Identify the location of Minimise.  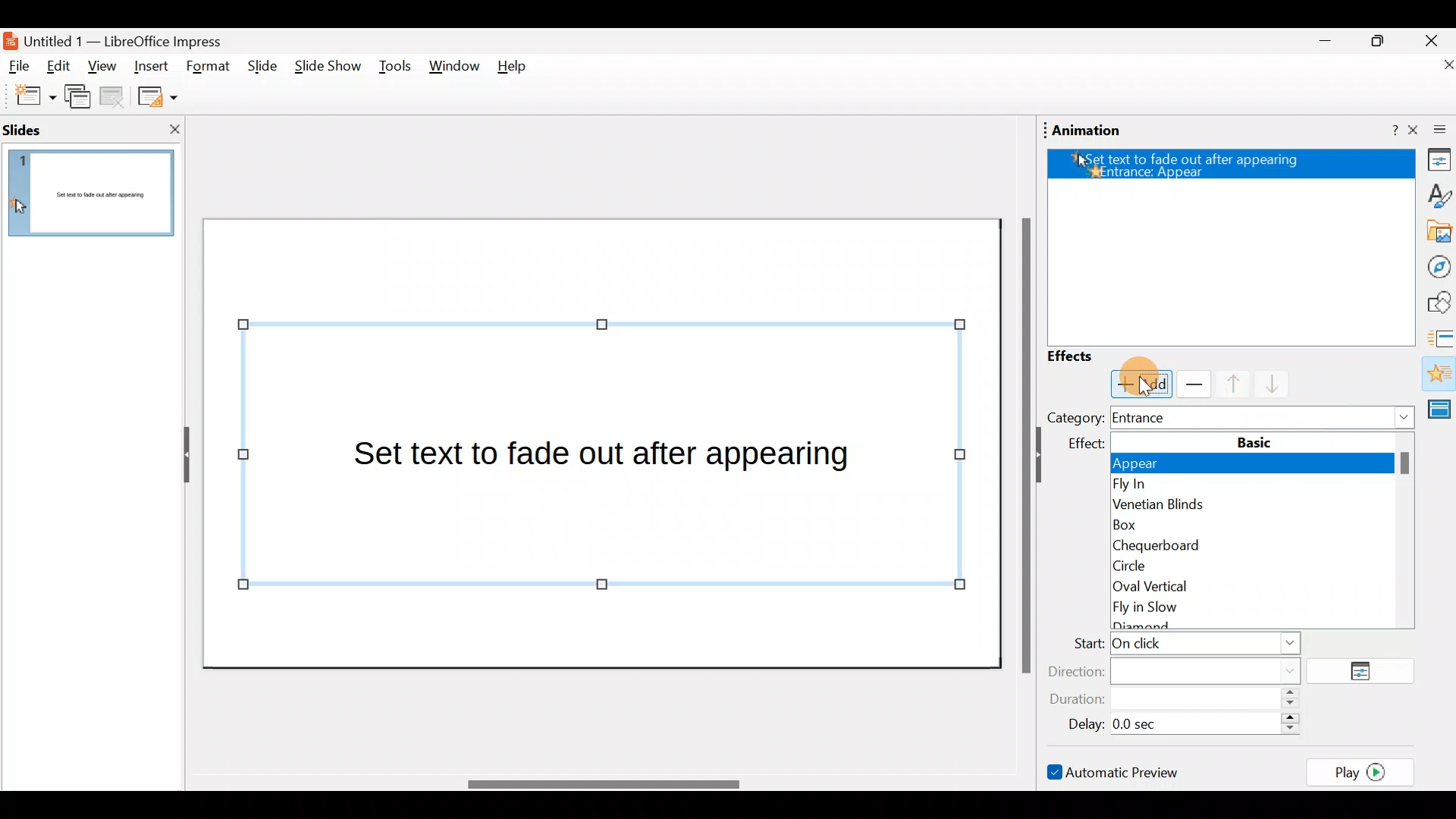
(1323, 45).